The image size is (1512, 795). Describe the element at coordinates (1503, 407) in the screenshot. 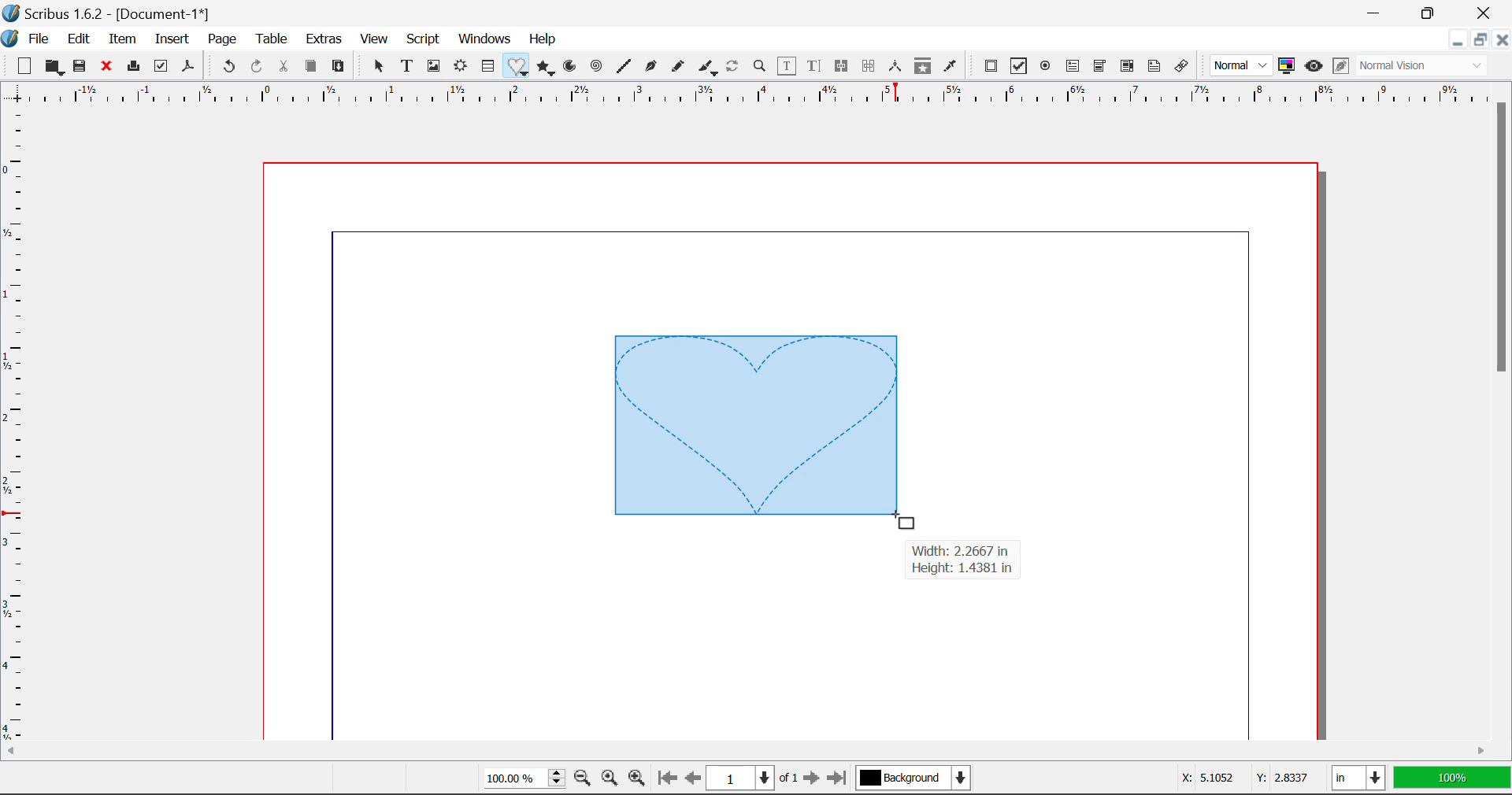

I see `Scroll Bar` at that location.